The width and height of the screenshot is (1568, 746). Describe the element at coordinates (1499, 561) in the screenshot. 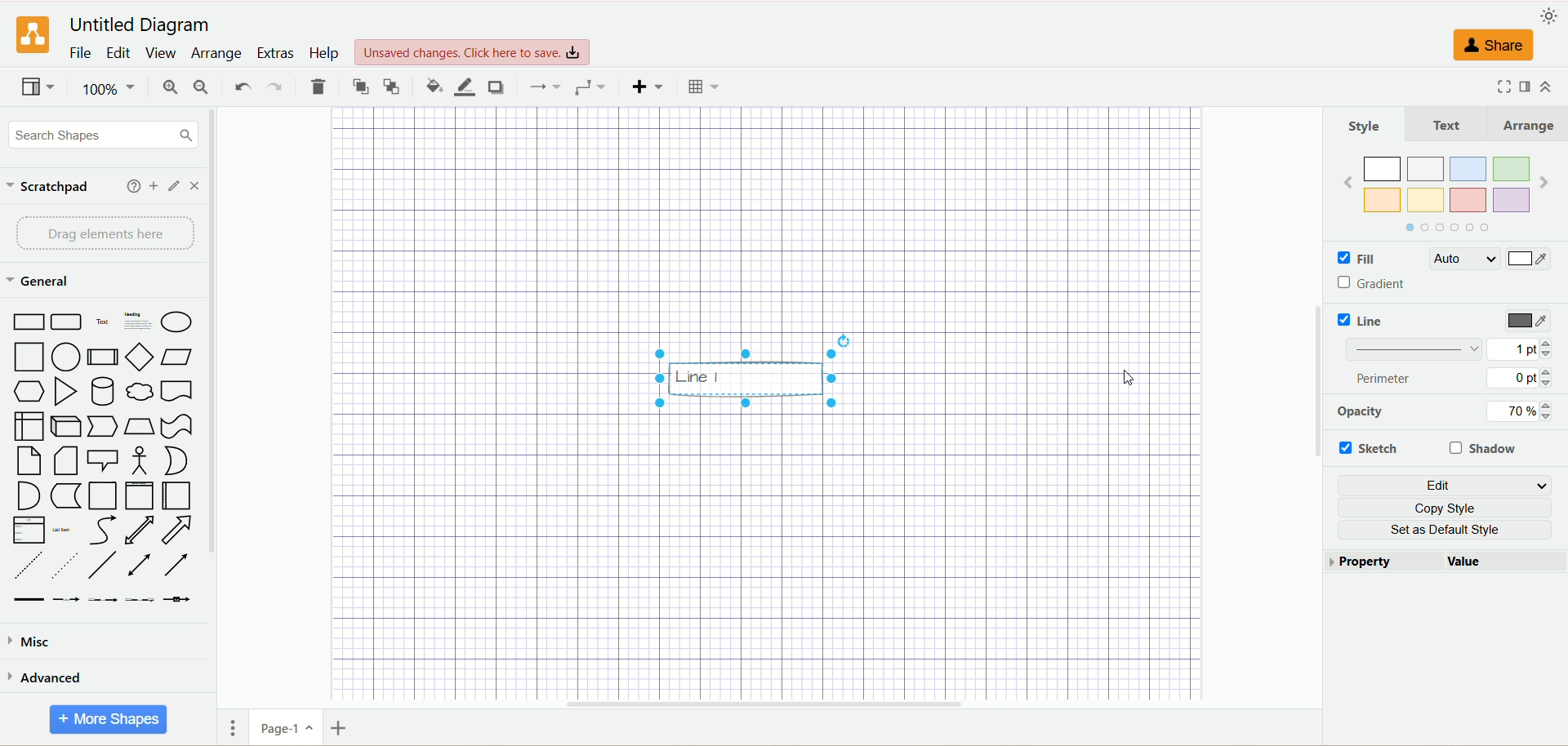

I see `Value` at that location.